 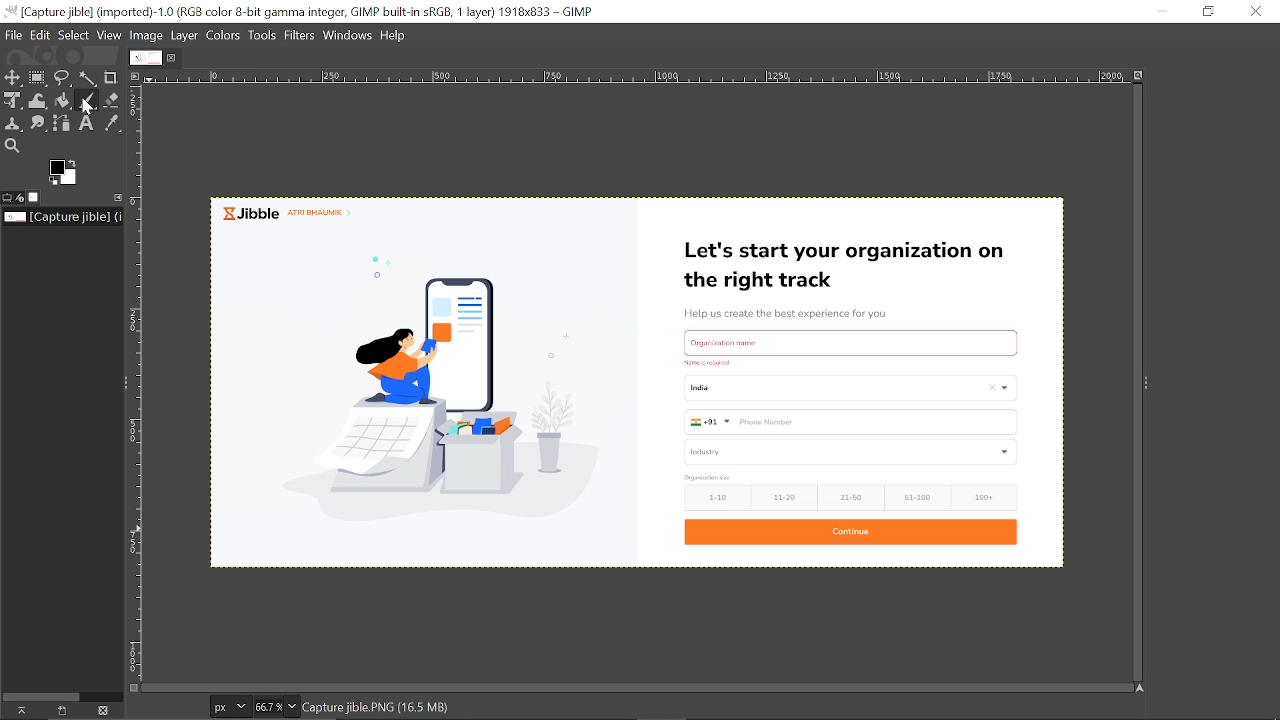 What do you see at coordinates (300, 12) in the screenshot?
I see `Current window` at bounding box center [300, 12].